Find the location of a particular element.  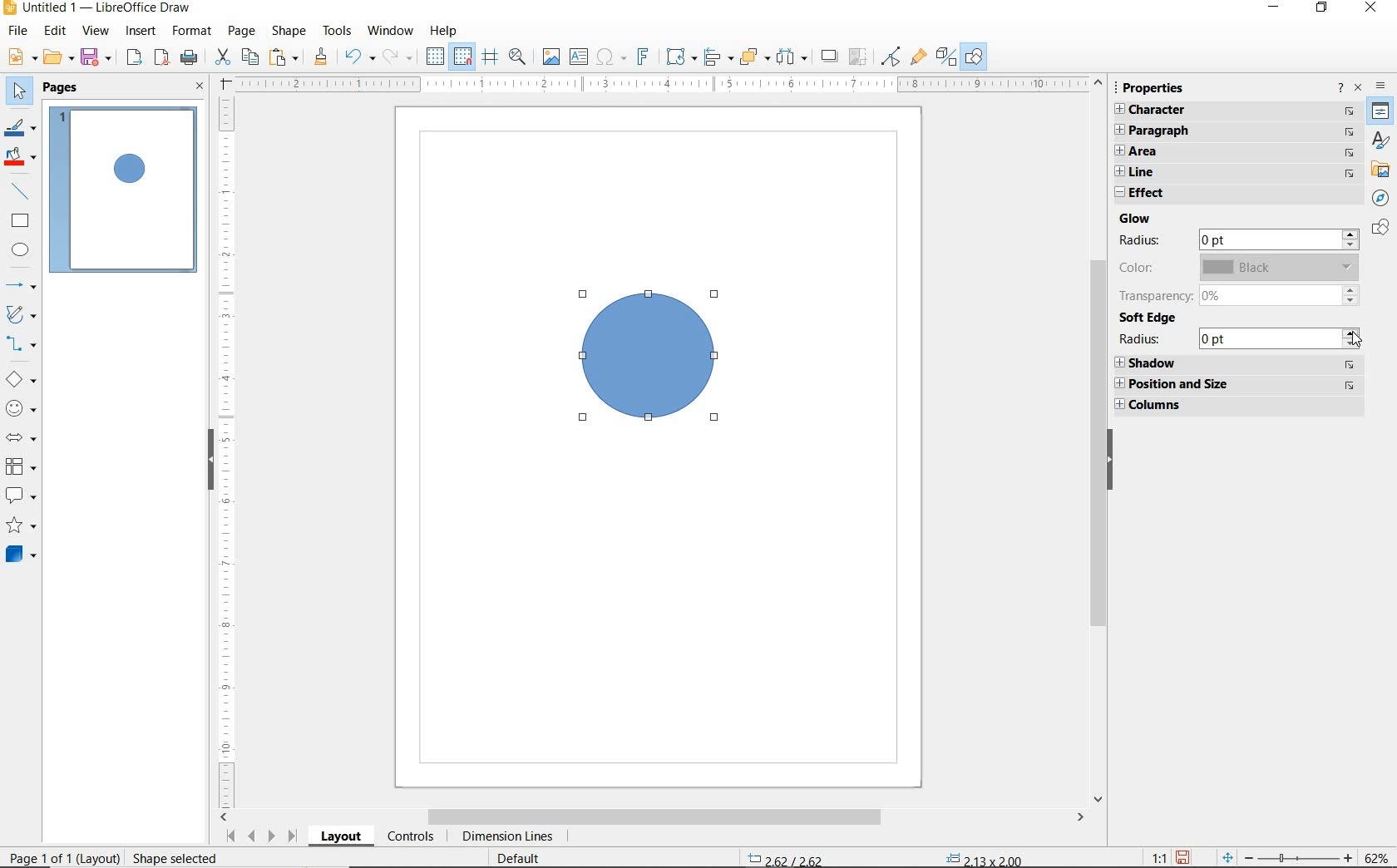

SELECT ATLEAST 3 OBJECTS TO DISTRIBUTE is located at coordinates (792, 57).